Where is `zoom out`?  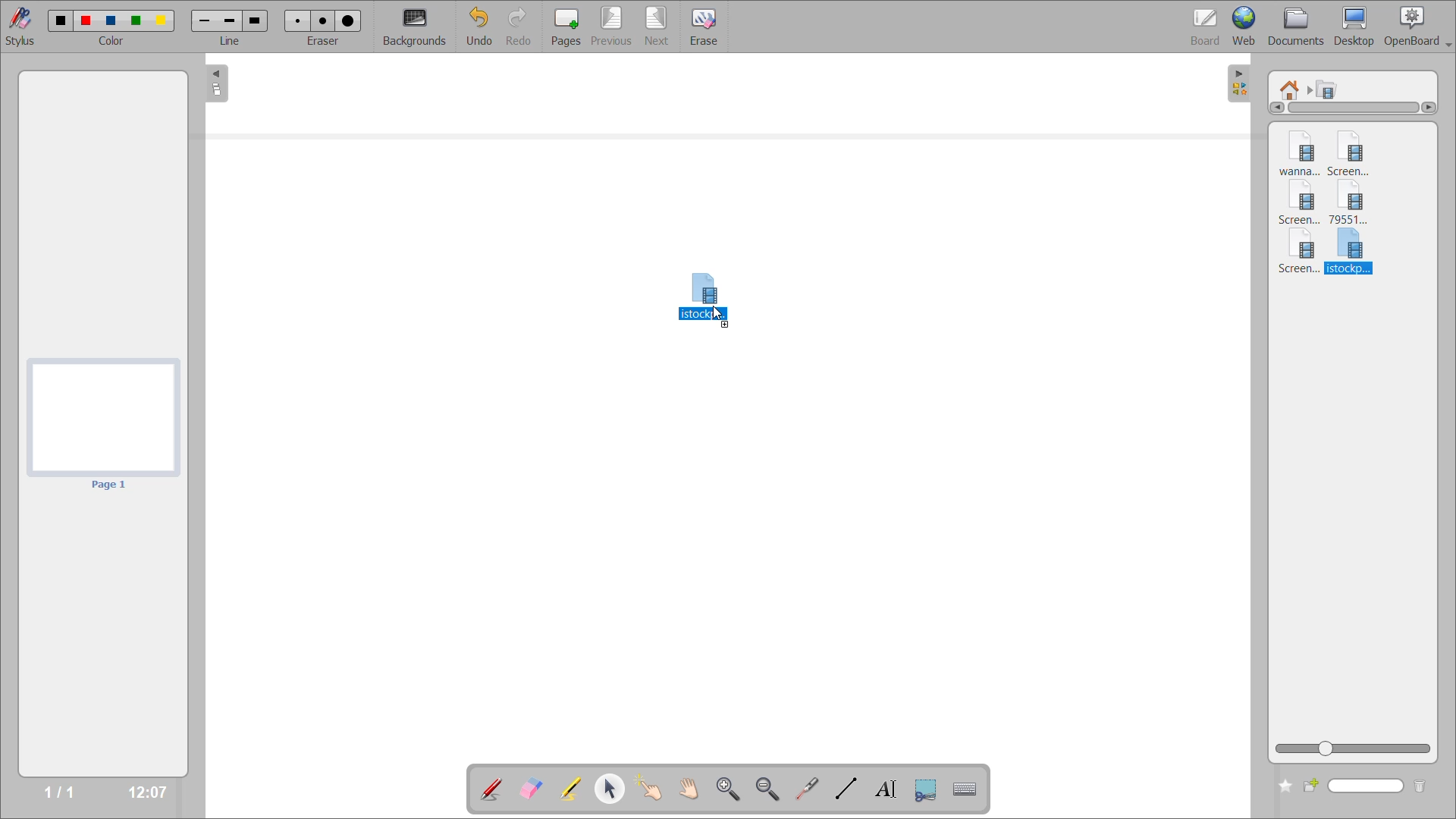 zoom out is located at coordinates (769, 789).